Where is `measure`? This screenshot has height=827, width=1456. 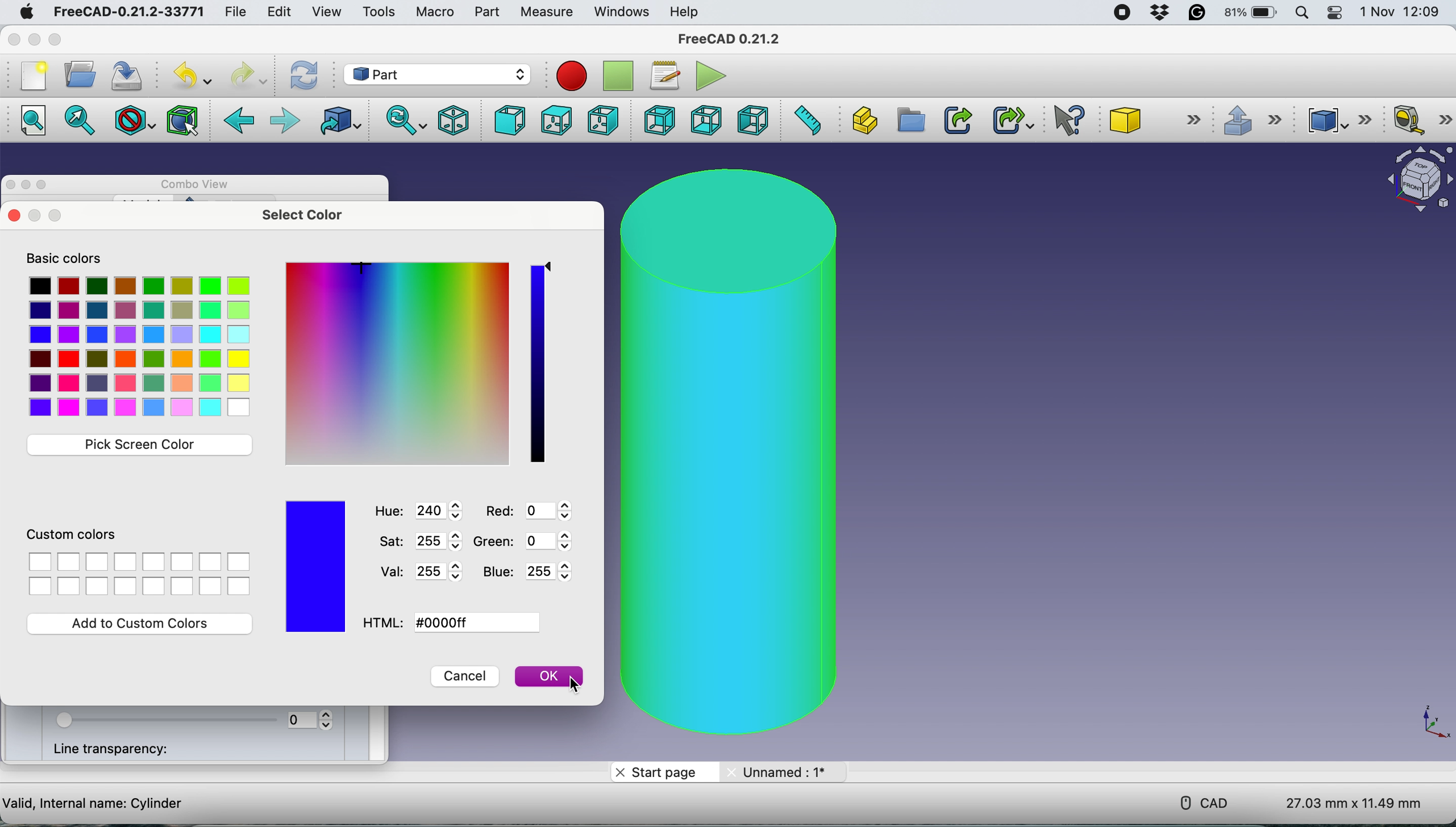
measure is located at coordinates (548, 12).